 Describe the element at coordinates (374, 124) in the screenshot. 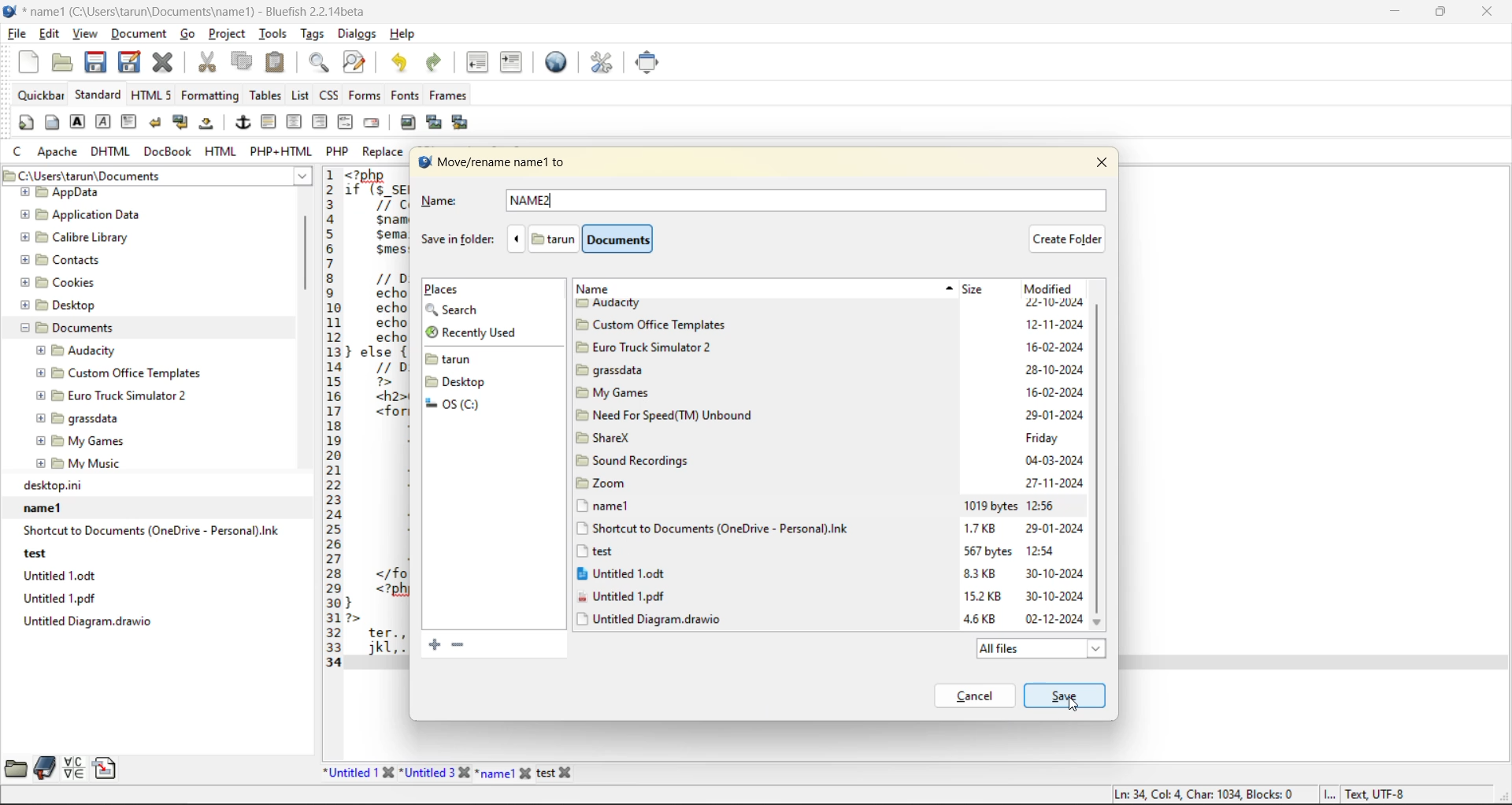

I see `email` at that location.